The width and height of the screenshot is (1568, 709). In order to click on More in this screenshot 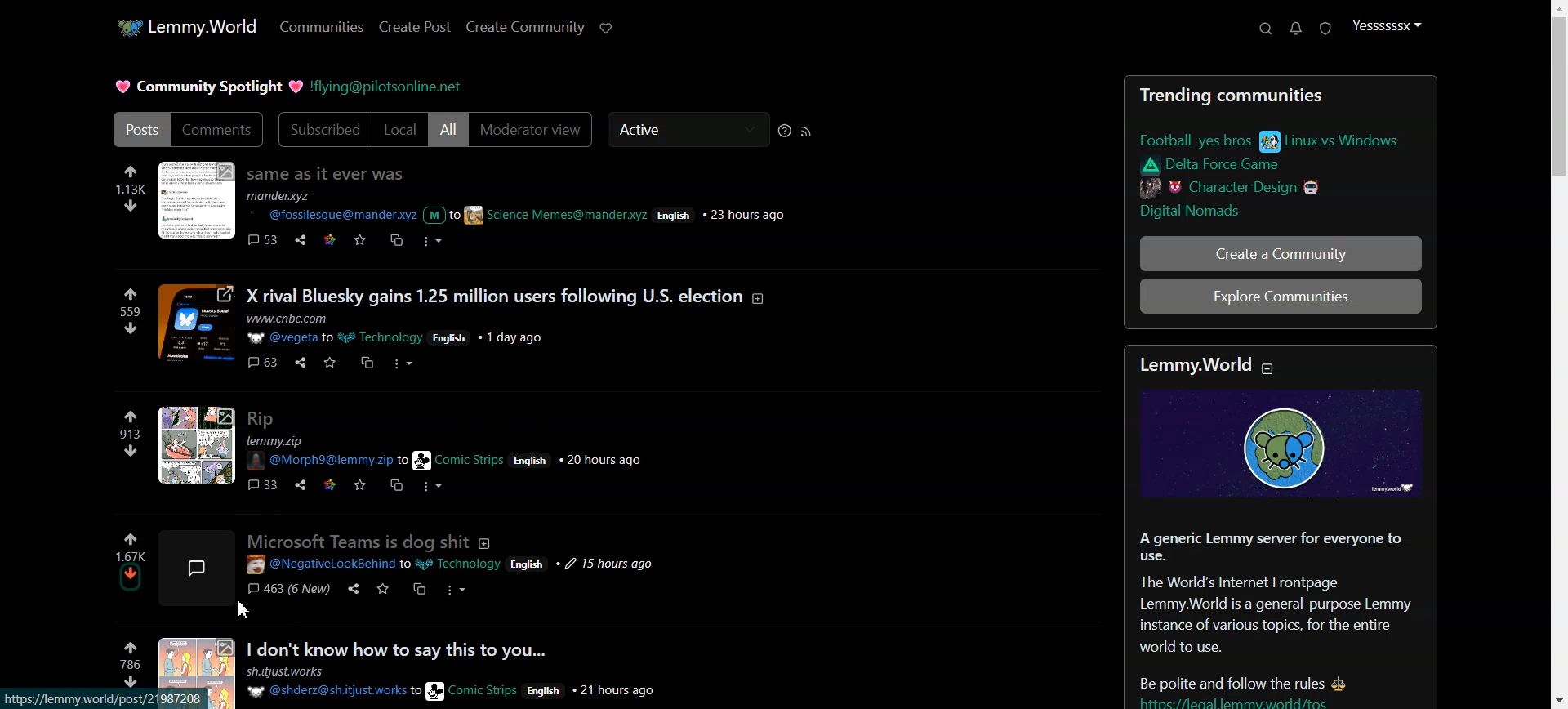, I will do `click(457, 590)`.